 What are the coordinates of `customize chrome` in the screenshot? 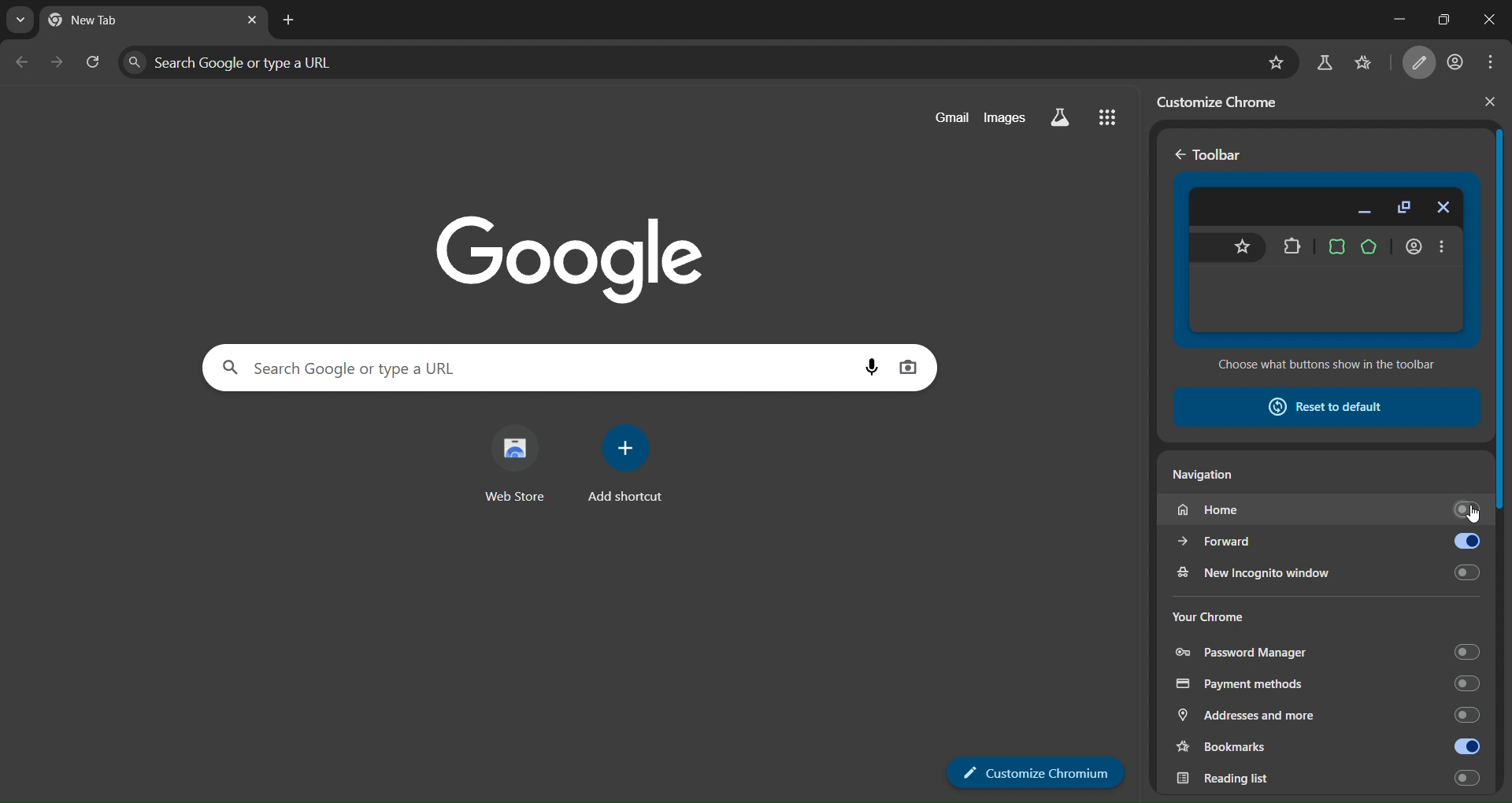 It's located at (1422, 63).